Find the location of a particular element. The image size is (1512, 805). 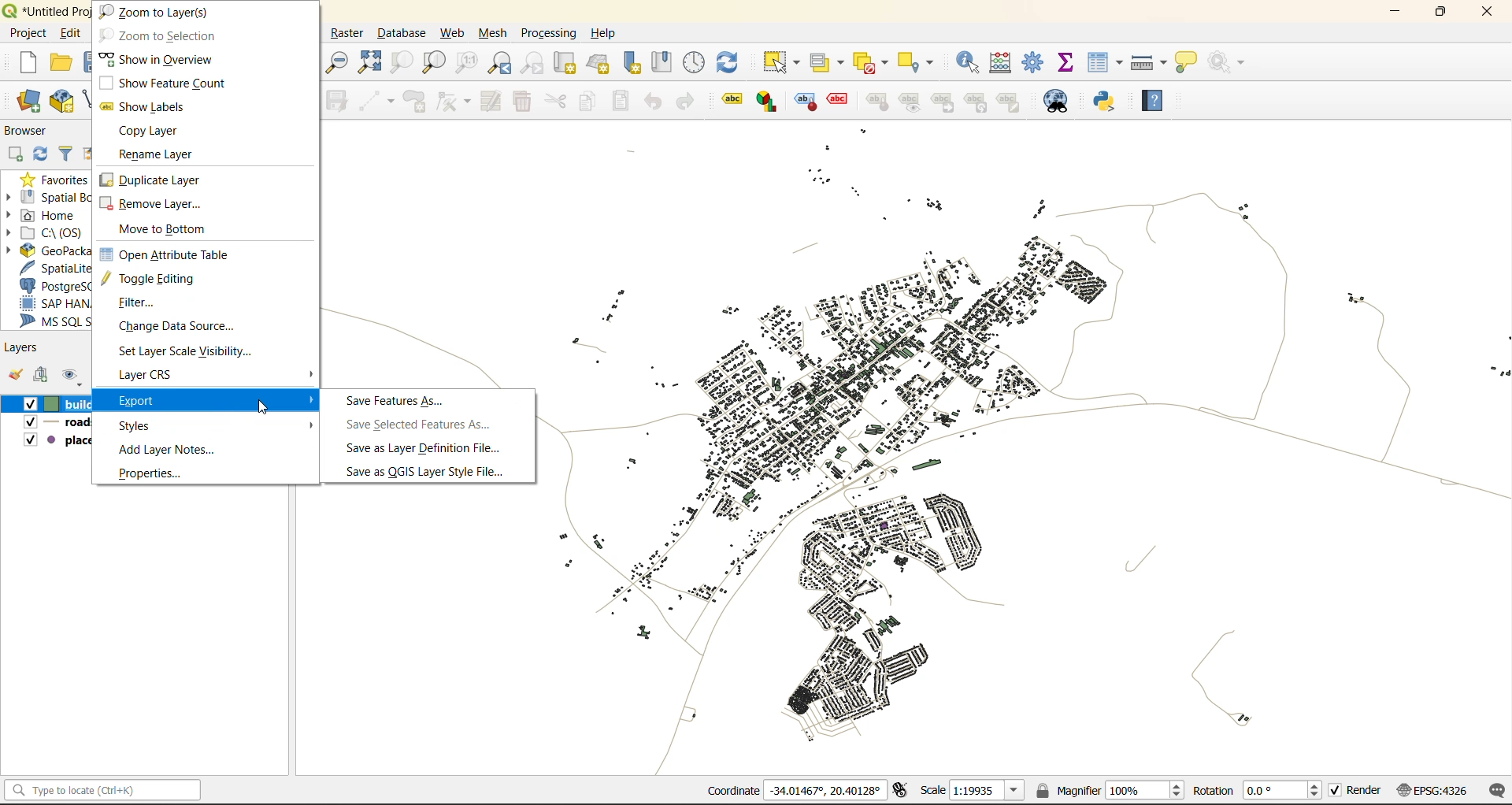

metasearch is located at coordinates (1064, 102).